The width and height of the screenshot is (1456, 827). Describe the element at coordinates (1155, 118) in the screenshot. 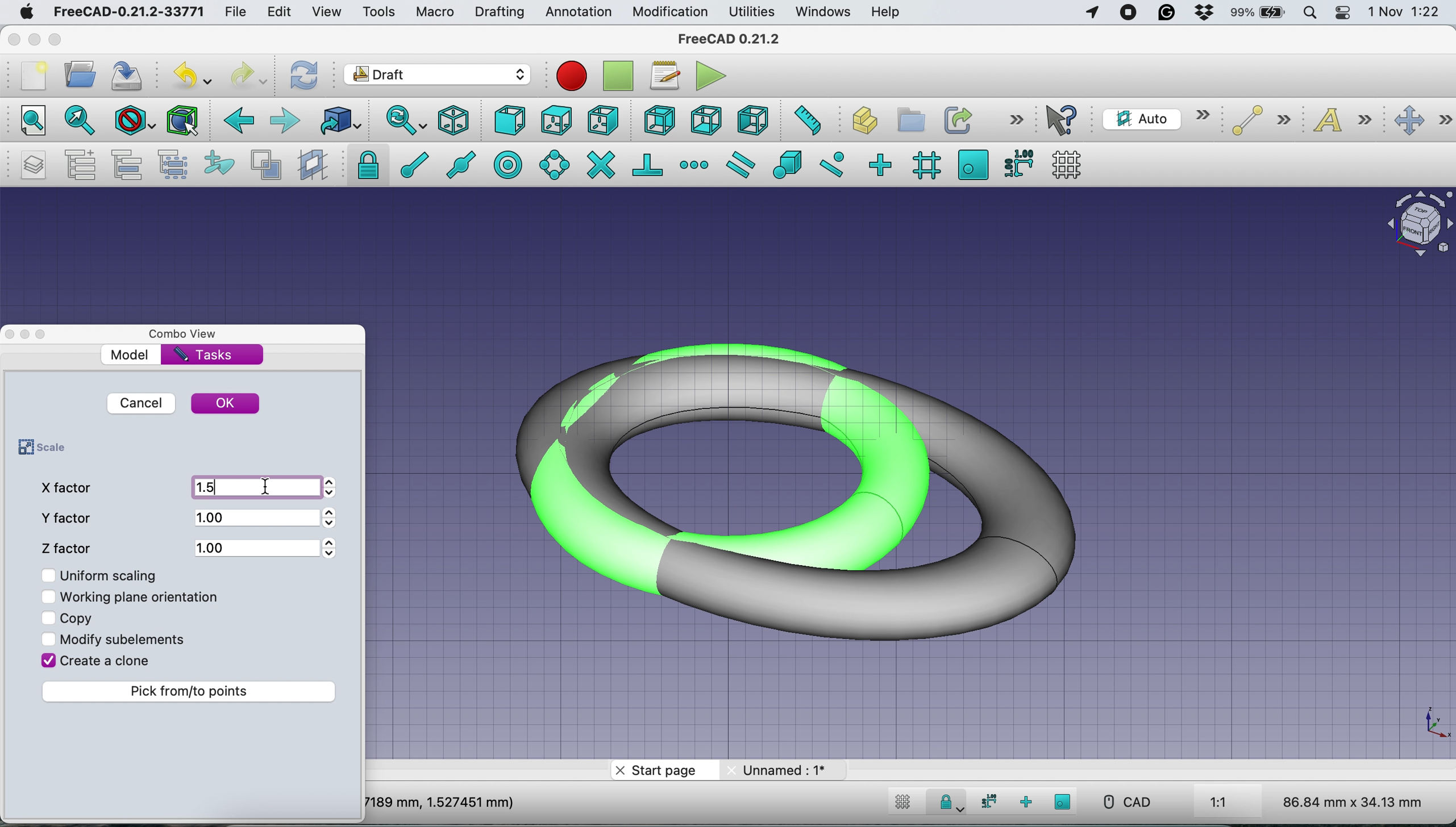

I see `current working plane` at that location.